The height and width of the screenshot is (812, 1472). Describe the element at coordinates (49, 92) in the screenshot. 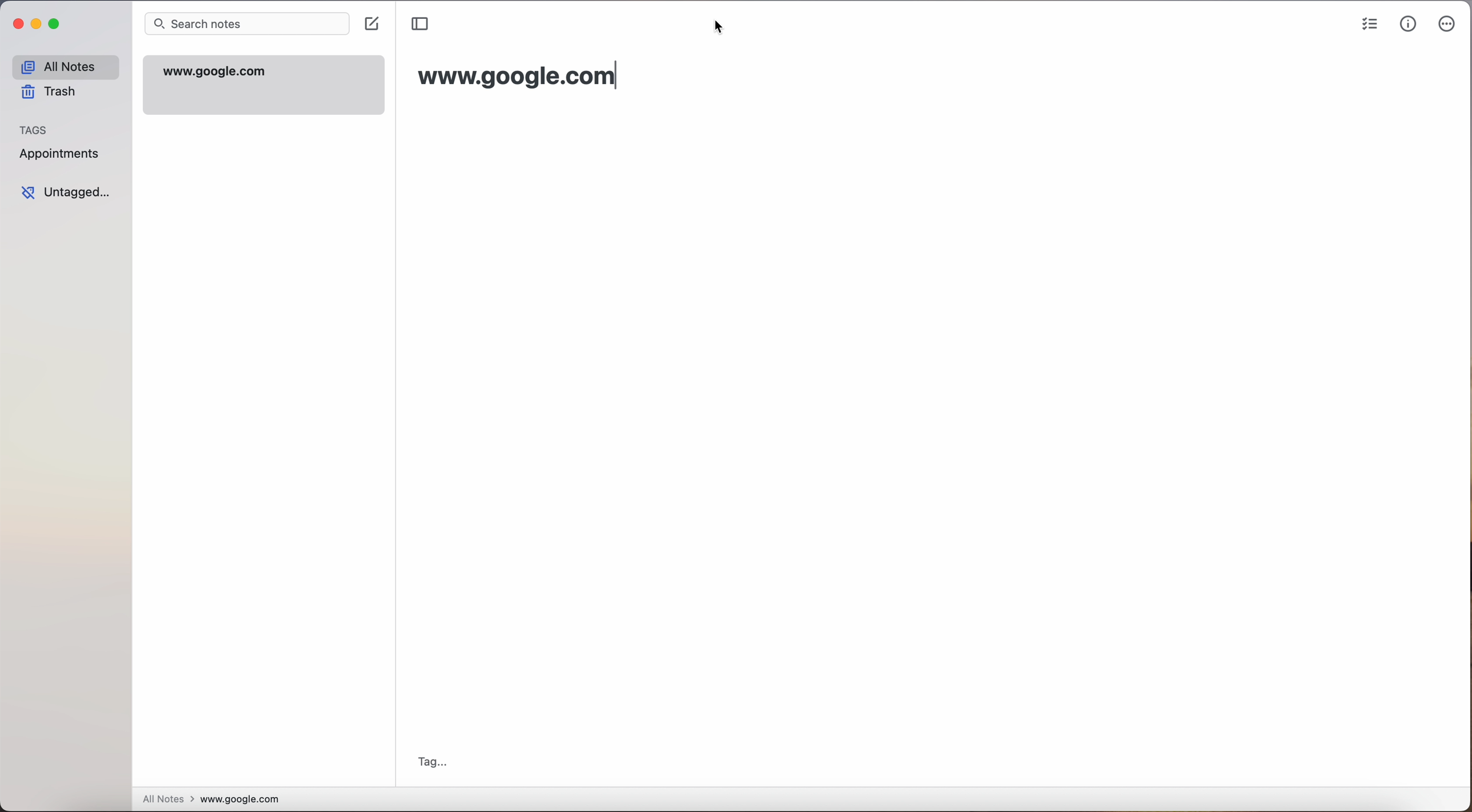

I see `trash` at that location.